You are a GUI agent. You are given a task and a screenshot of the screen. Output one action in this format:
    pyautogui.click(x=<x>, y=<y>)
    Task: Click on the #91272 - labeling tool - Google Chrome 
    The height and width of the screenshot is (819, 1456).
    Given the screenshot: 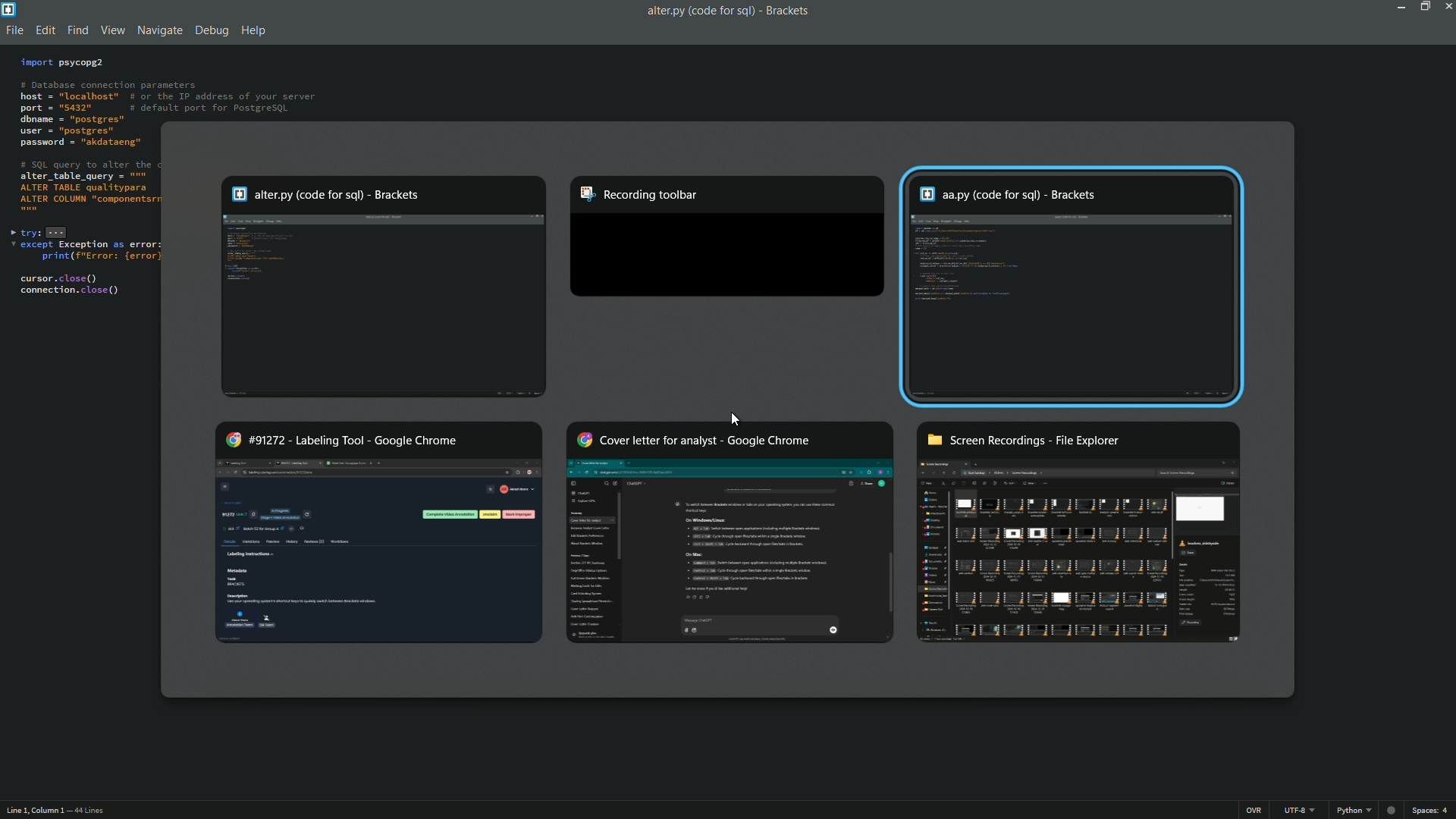 What is the action you would take?
    pyautogui.click(x=379, y=532)
    